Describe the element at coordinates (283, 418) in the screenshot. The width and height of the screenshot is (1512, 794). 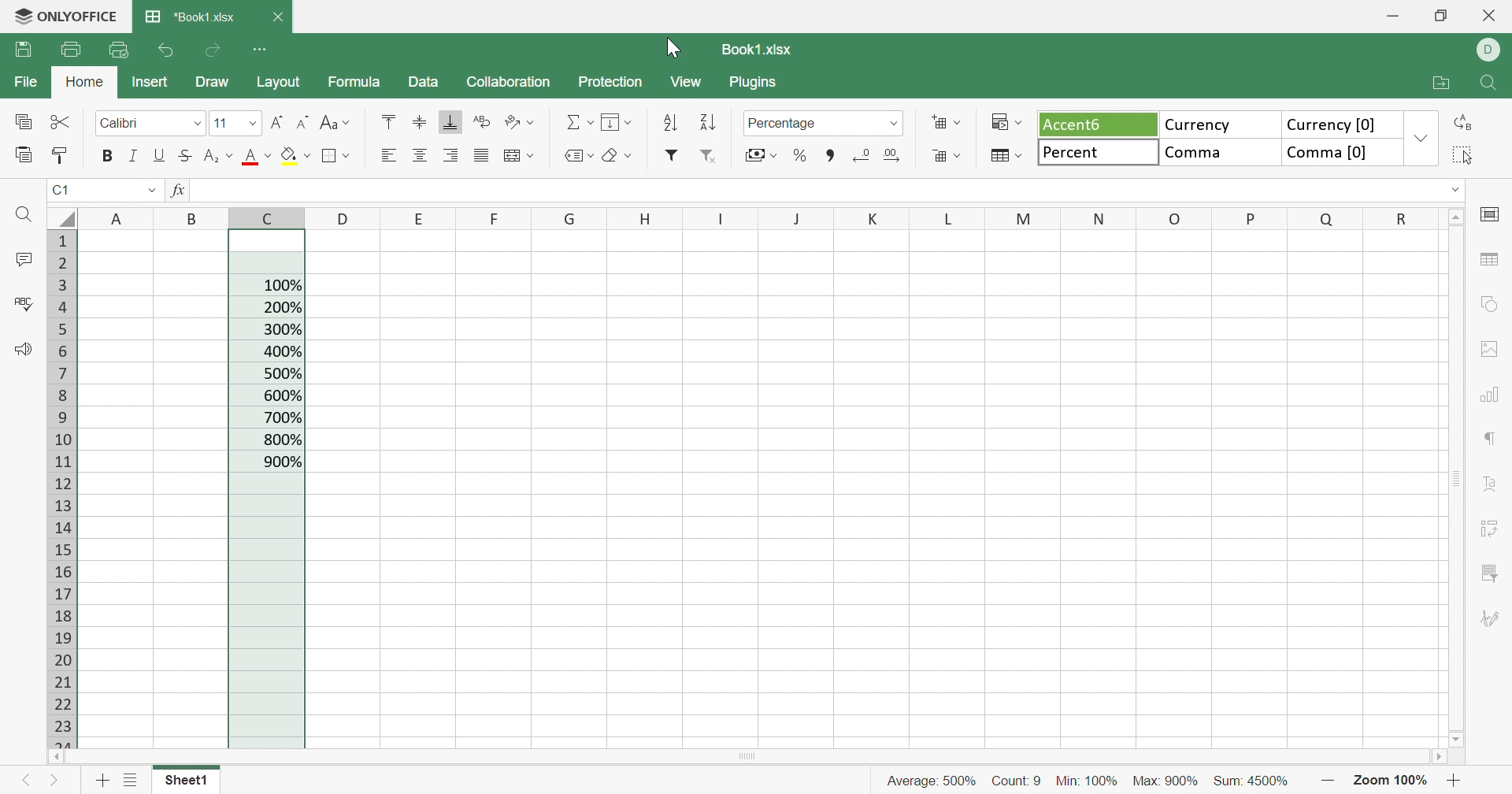
I see `700%` at that location.